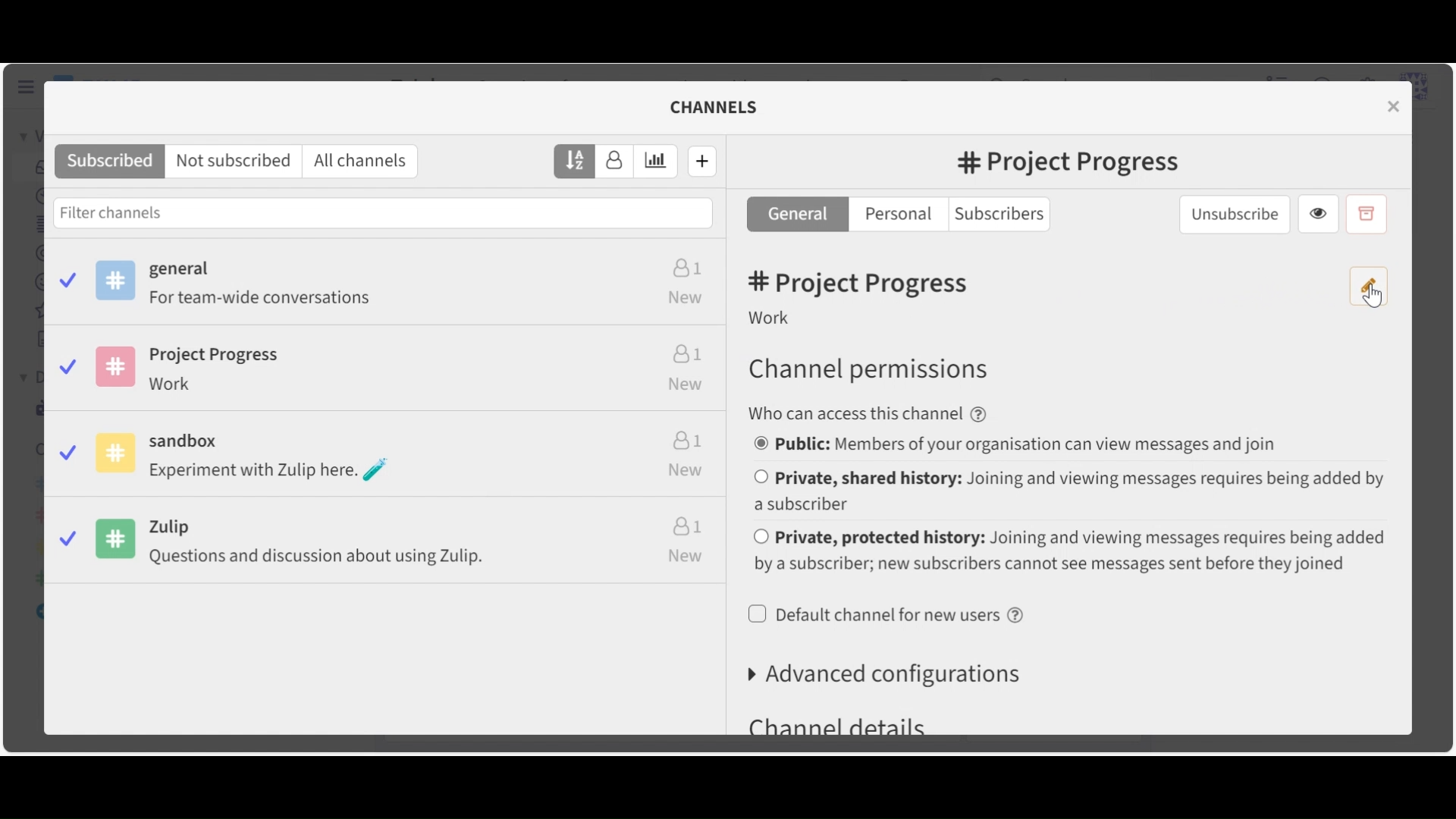 Image resolution: width=1456 pixels, height=819 pixels. Describe the element at coordinates (1316, 213) in the screenshot. I see `VIew Channel` at that location.